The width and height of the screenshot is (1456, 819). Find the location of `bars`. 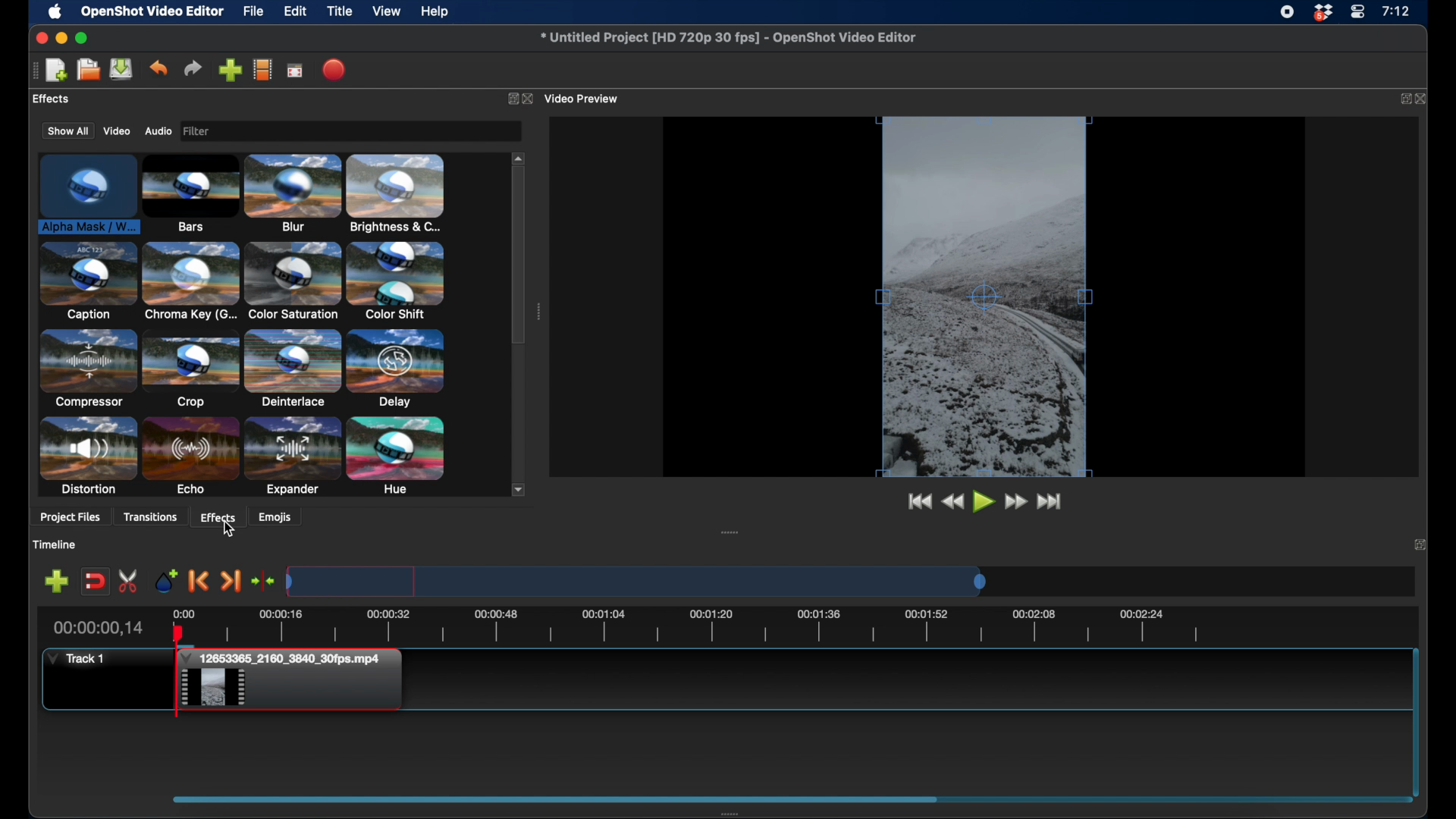

bars is located at coordinates (191, 194).